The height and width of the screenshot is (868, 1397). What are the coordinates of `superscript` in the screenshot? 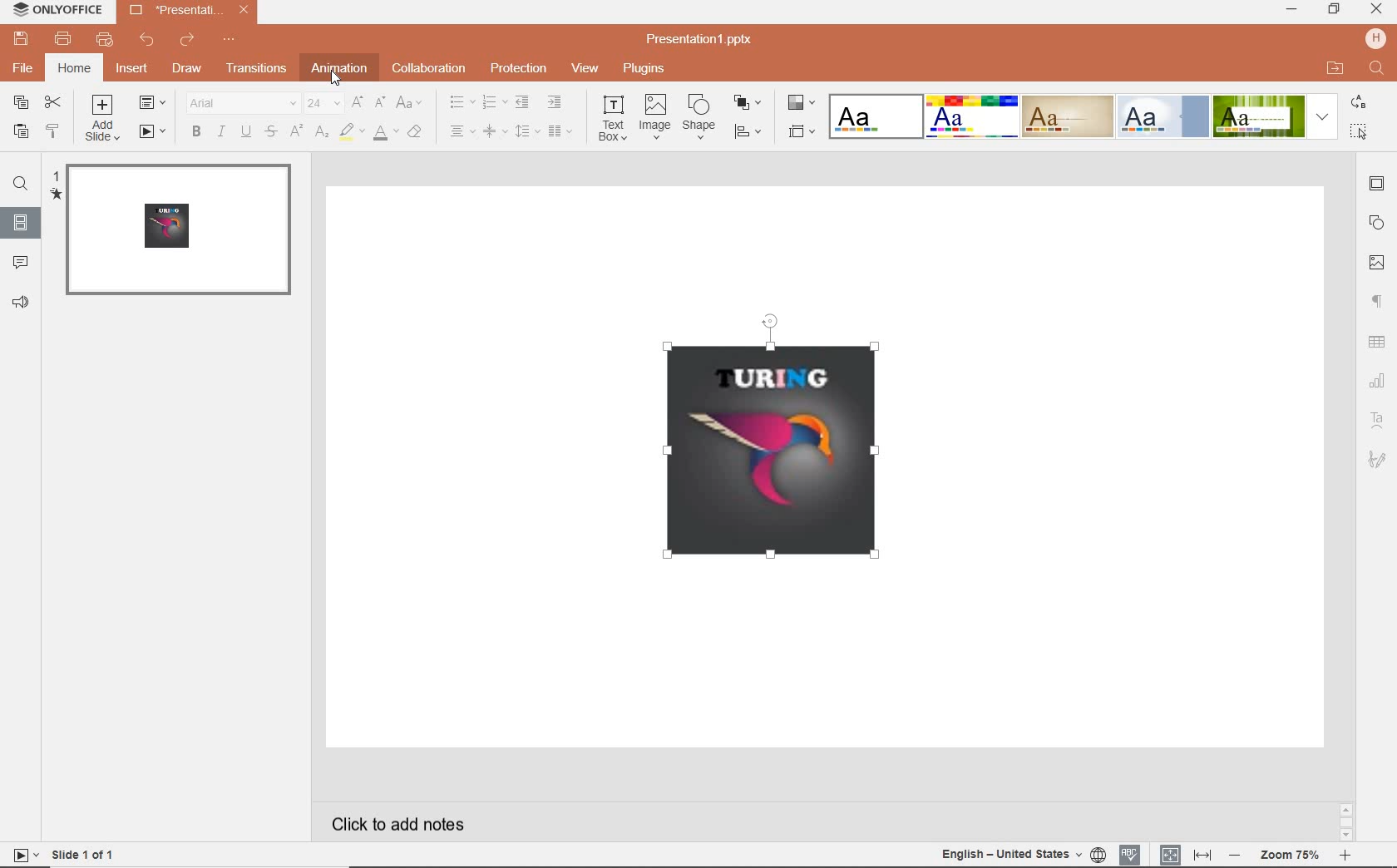 It's located at (297, 131).